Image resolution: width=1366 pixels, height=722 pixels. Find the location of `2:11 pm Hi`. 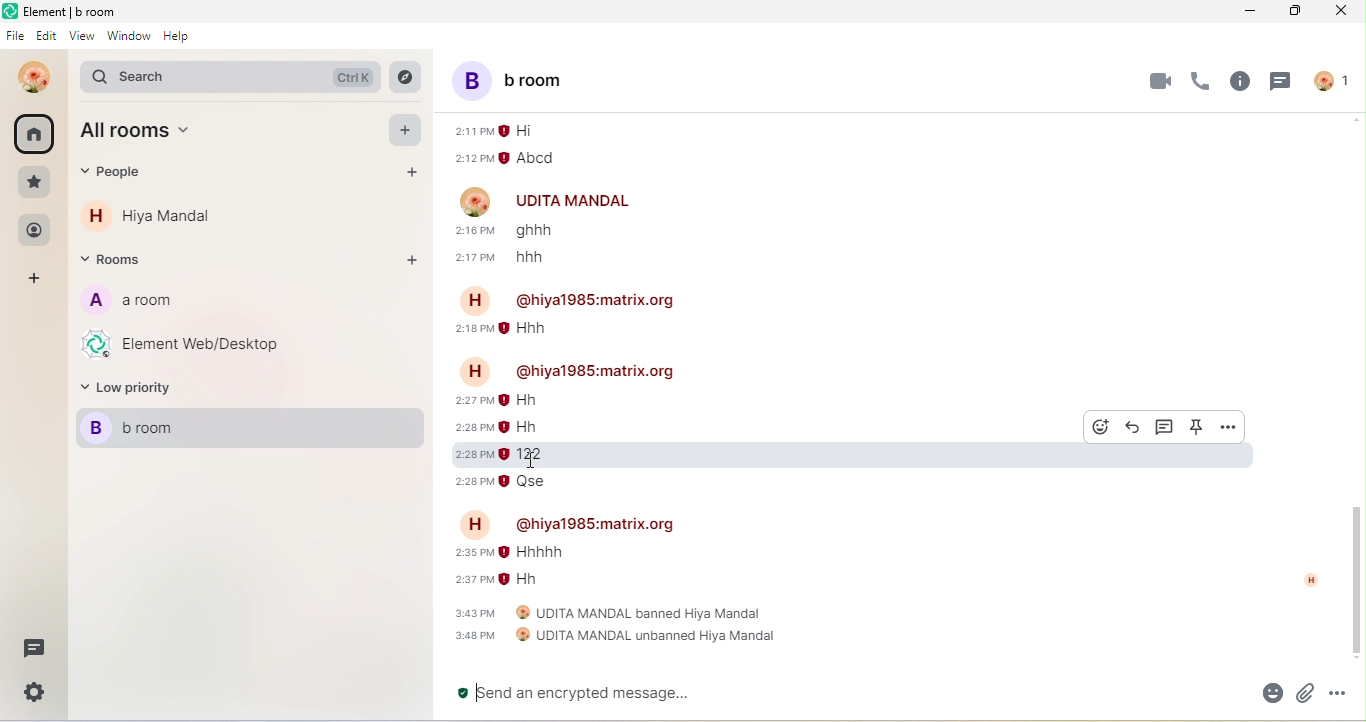

2:11 pm Hi is located at coordinates (494, 132).